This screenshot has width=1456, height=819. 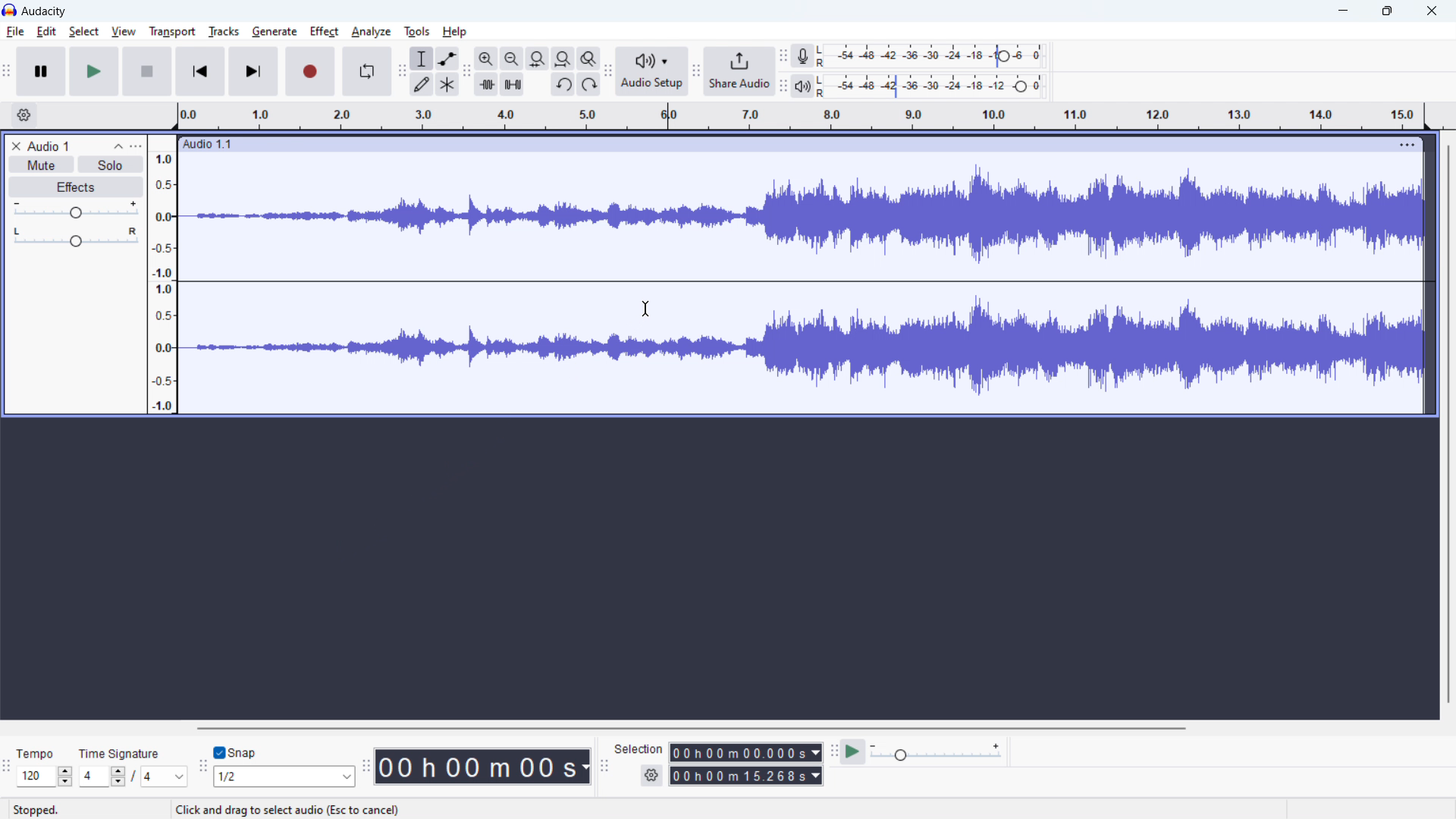 I want to click on fit selection to width, so click(x=538, y=58).